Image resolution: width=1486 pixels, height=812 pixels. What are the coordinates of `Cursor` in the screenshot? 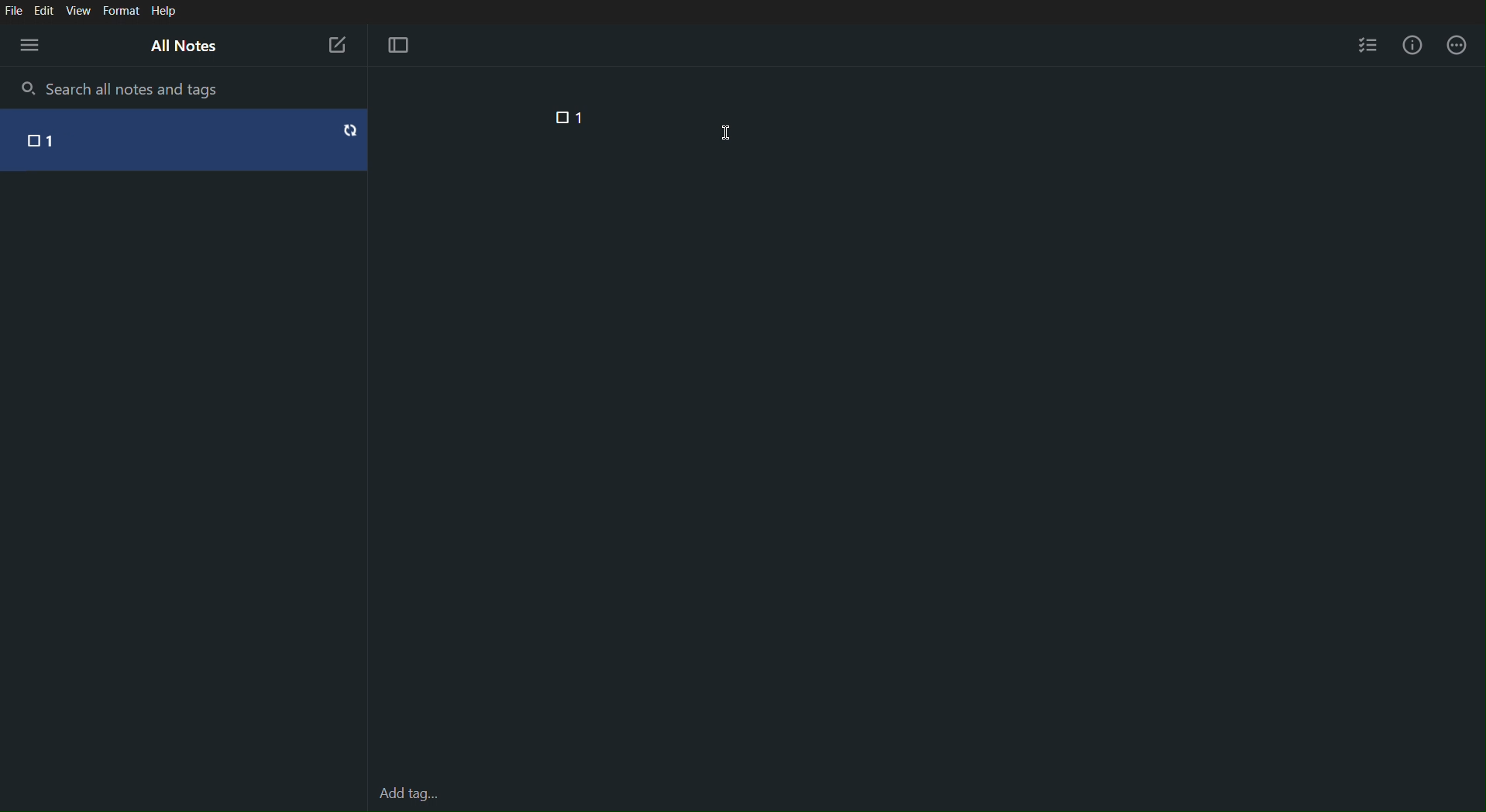 It's located at (728, 132).